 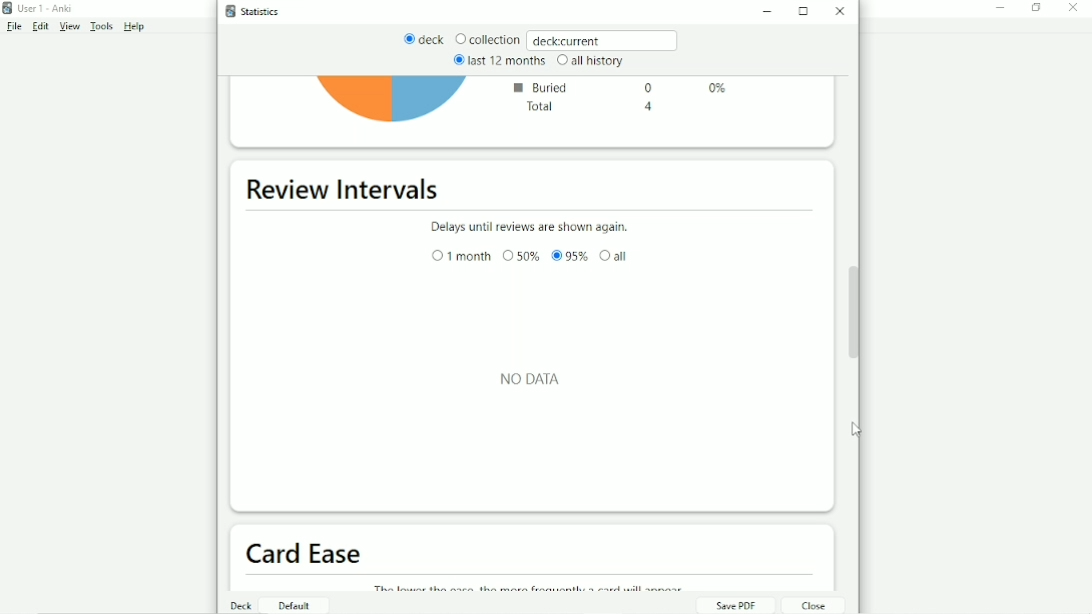 What do you see at coordinates (570, 257) in the screenshot?
I see `95%` at bounding box center [570, 257].